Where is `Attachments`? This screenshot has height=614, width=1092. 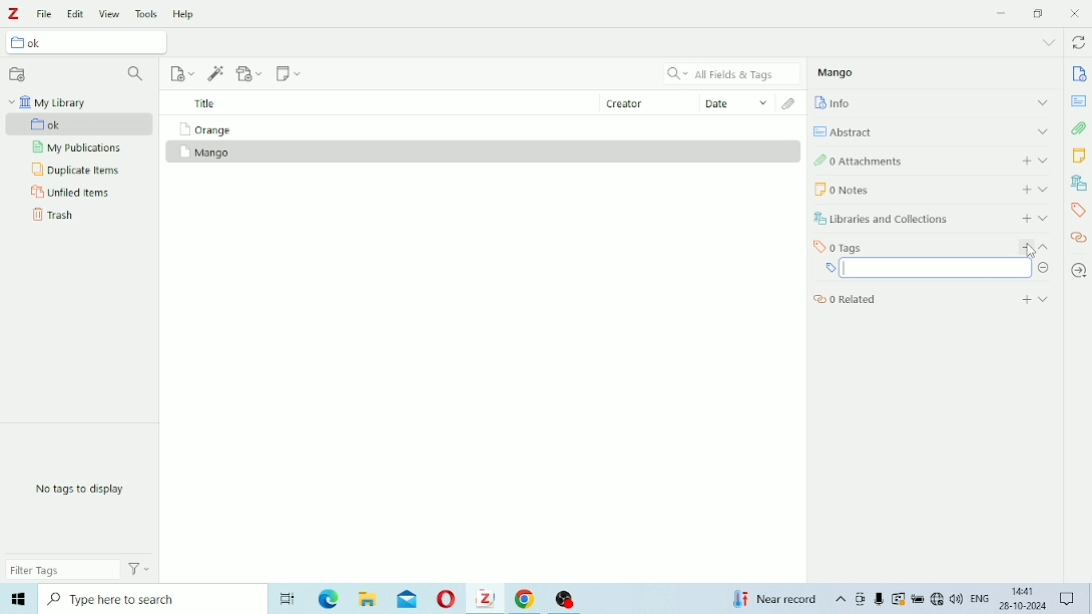
Attachments is located at coordinates (932, 159).